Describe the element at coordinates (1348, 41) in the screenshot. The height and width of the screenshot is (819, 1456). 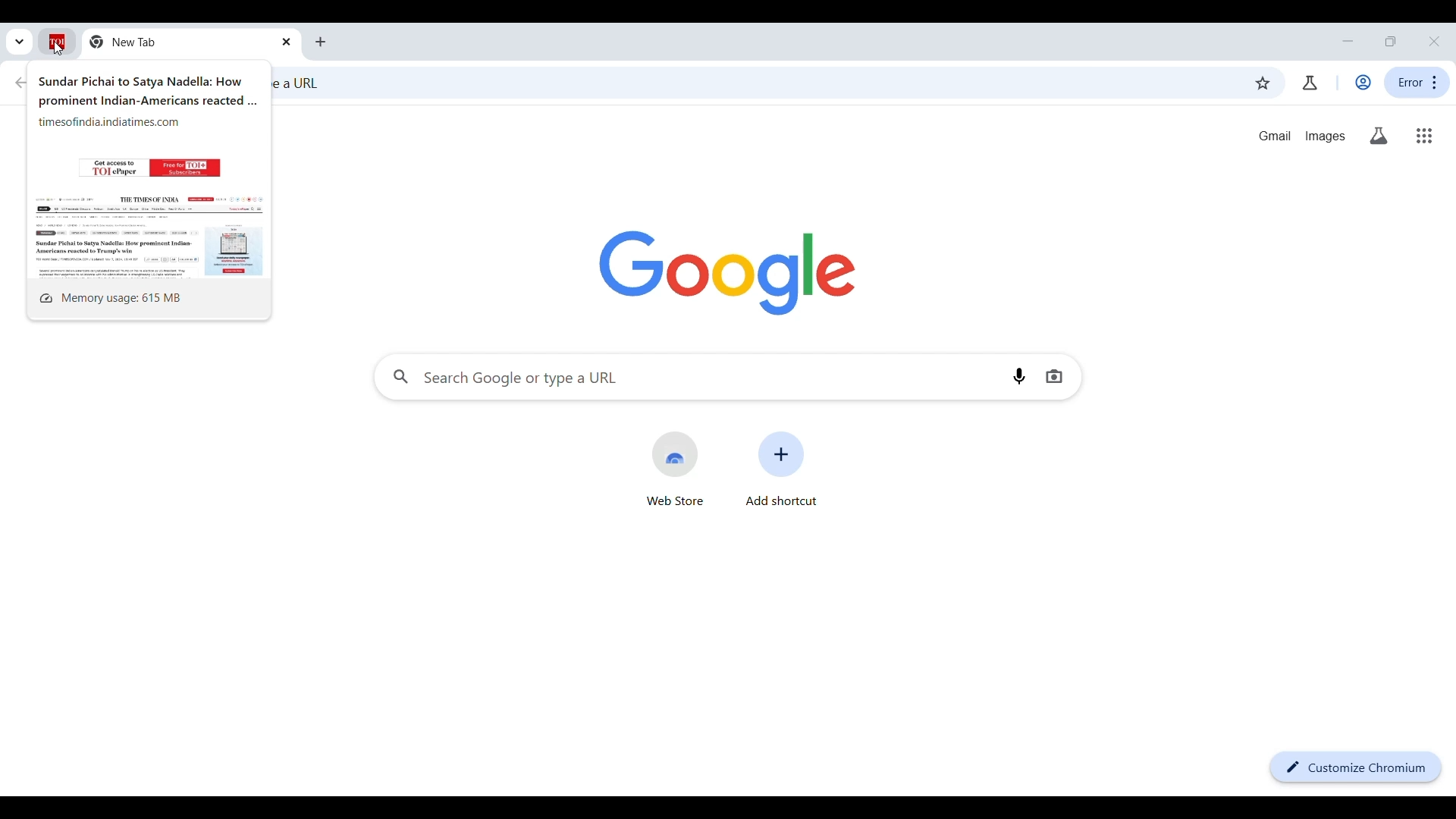
I see `Minimize` at that location.